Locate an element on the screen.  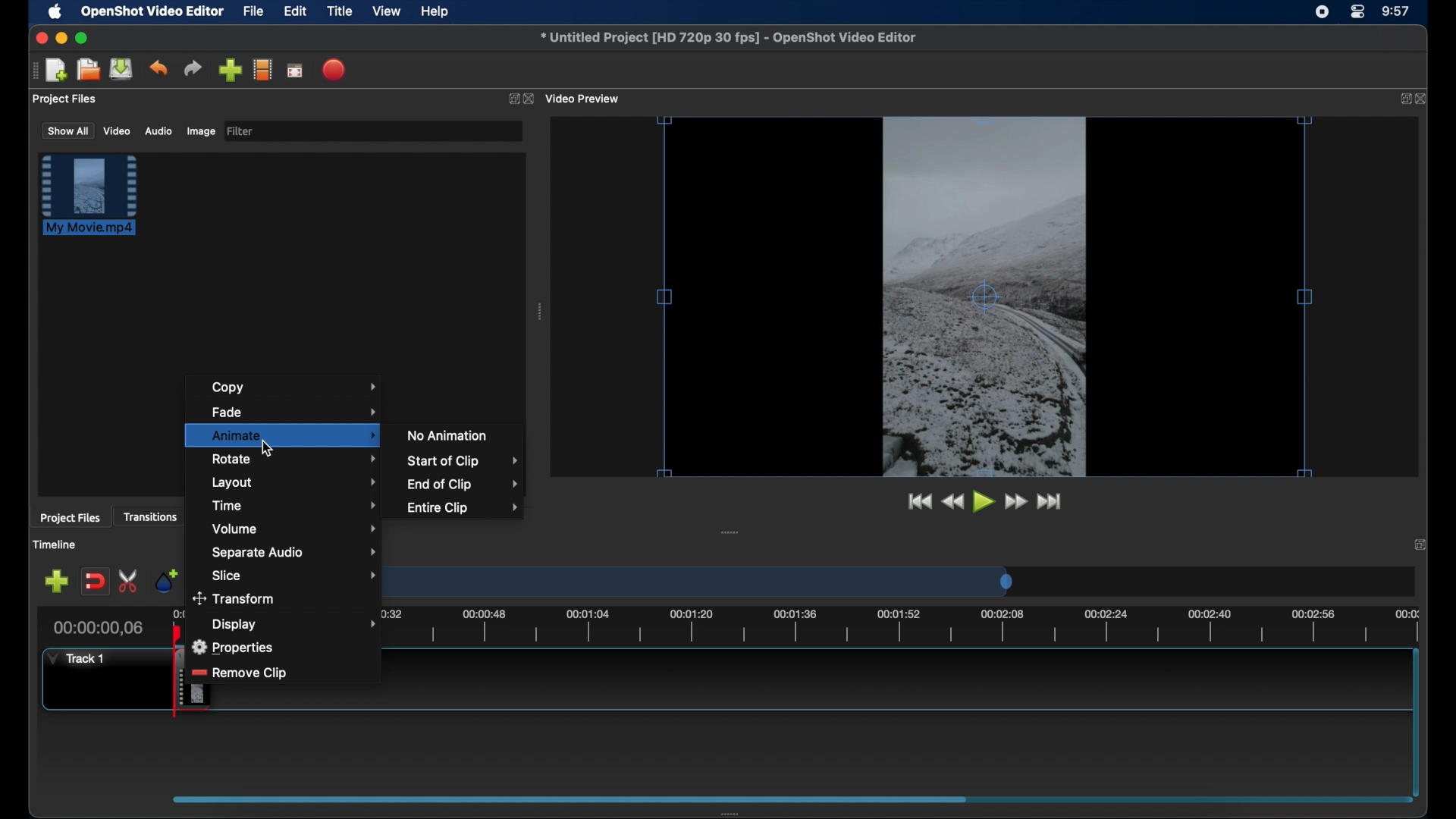
project files is located at coordinates (70, 518).